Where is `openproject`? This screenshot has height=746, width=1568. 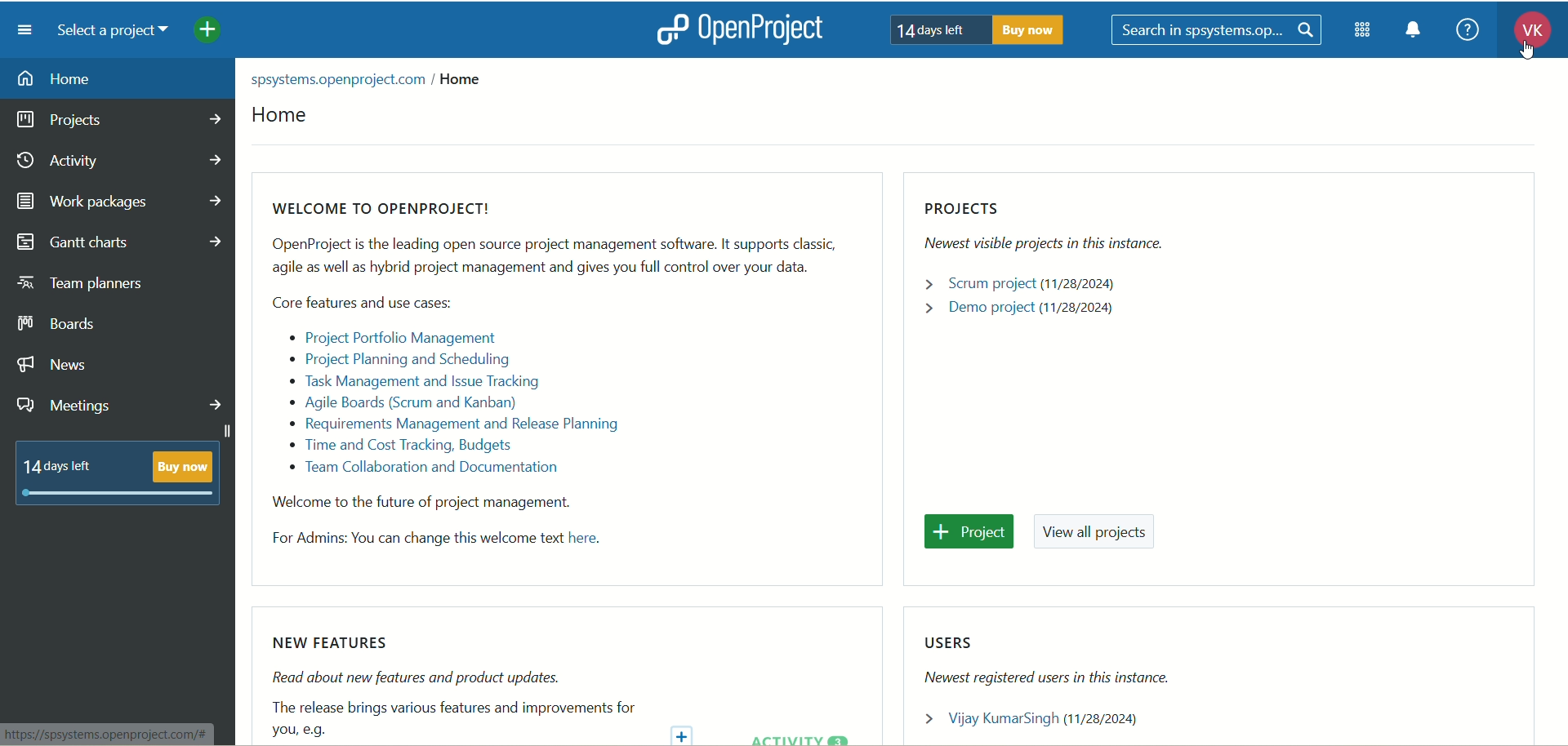
openproject is located at coordinates (770, 31).